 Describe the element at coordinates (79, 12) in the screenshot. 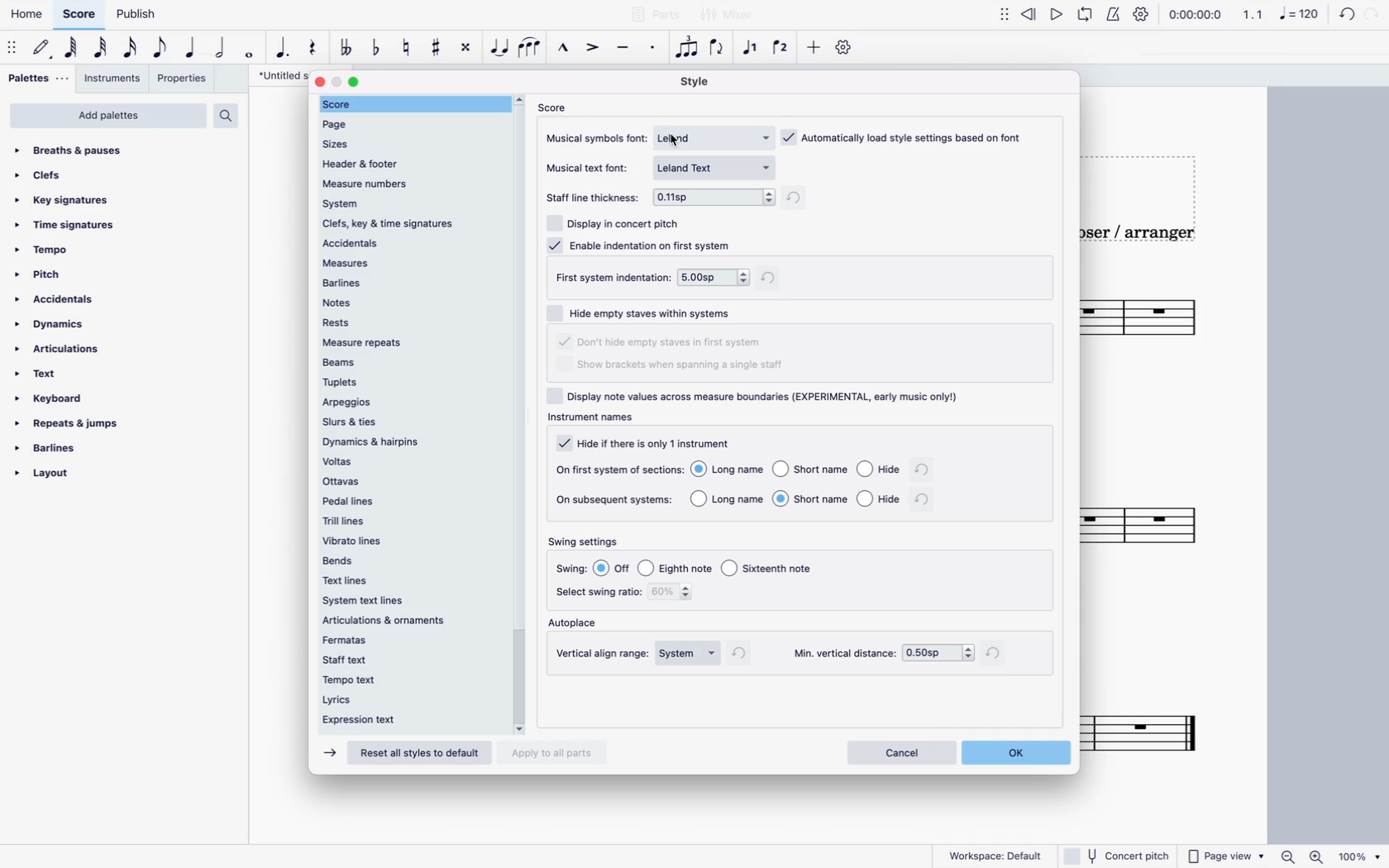

I see `Score` at that location.